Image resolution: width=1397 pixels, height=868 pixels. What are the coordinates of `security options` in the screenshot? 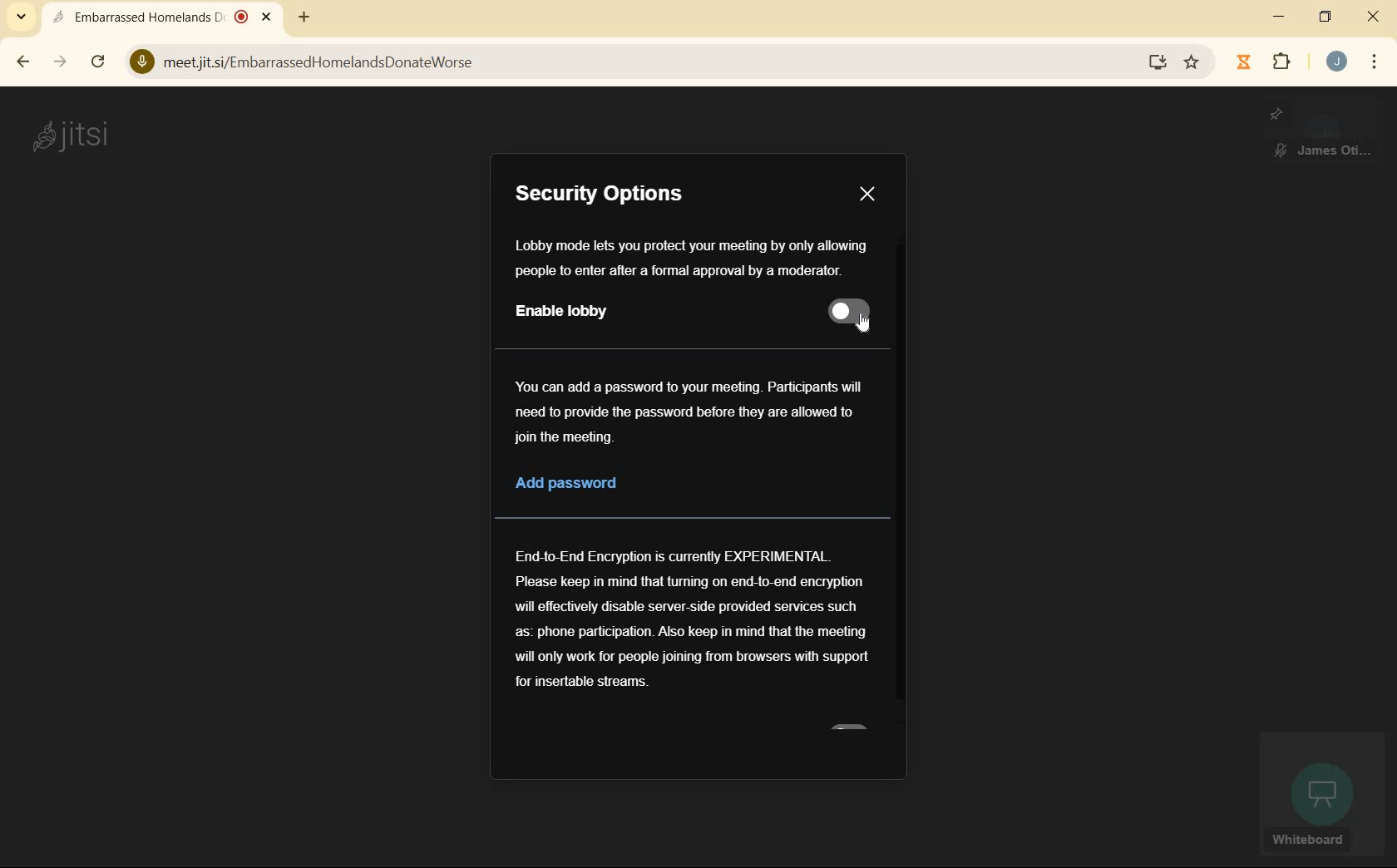 It's located at (620, 195).